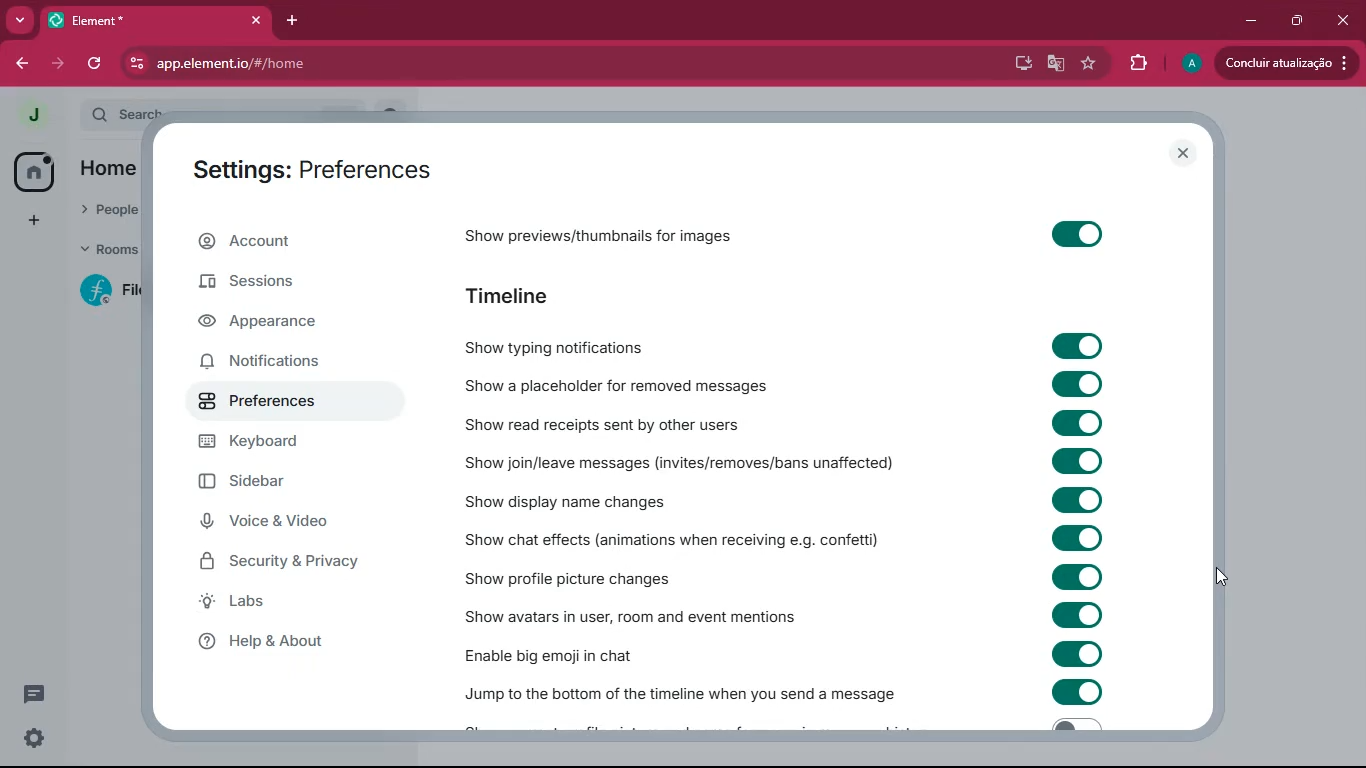  Describe the element at coordinates (36, 738) in the screenshot. I see `settings` at that location.